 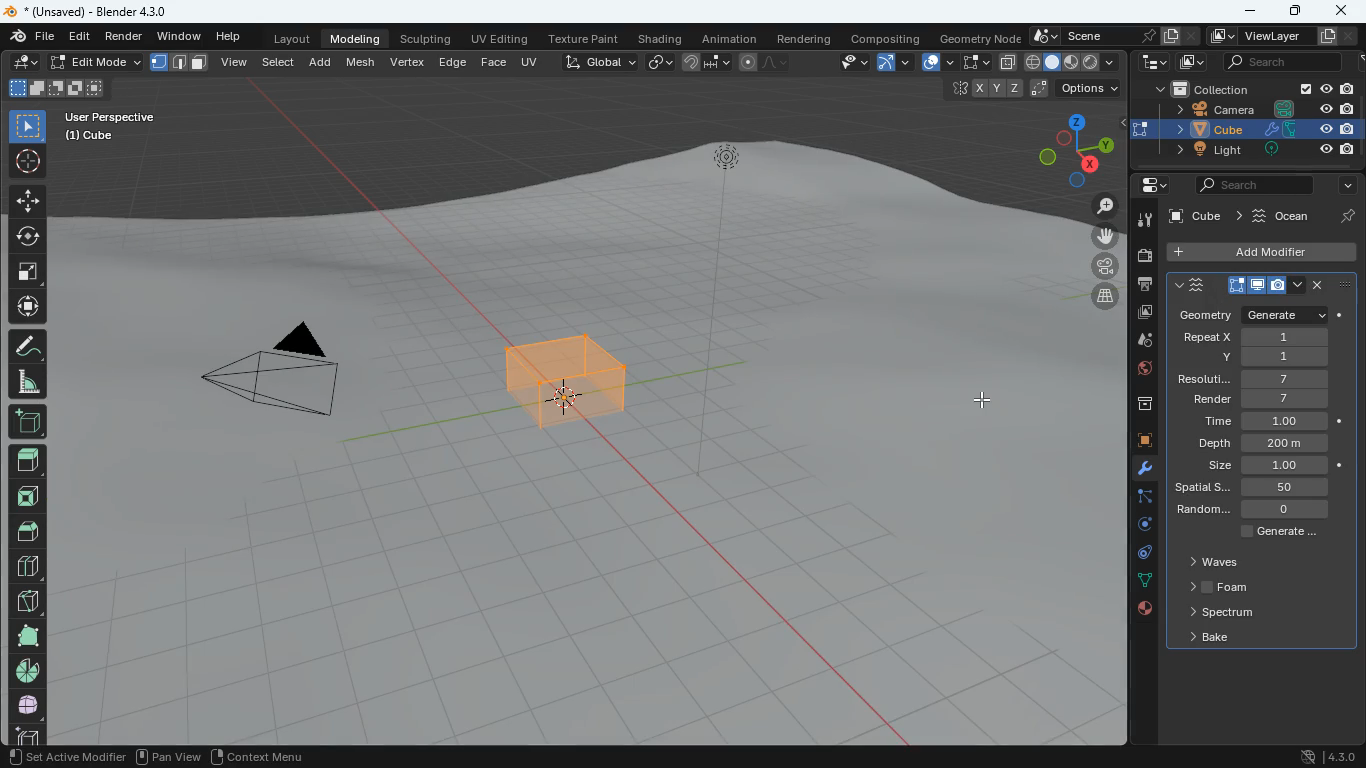 I want to click on spatial, so click(x=1268, y=488).